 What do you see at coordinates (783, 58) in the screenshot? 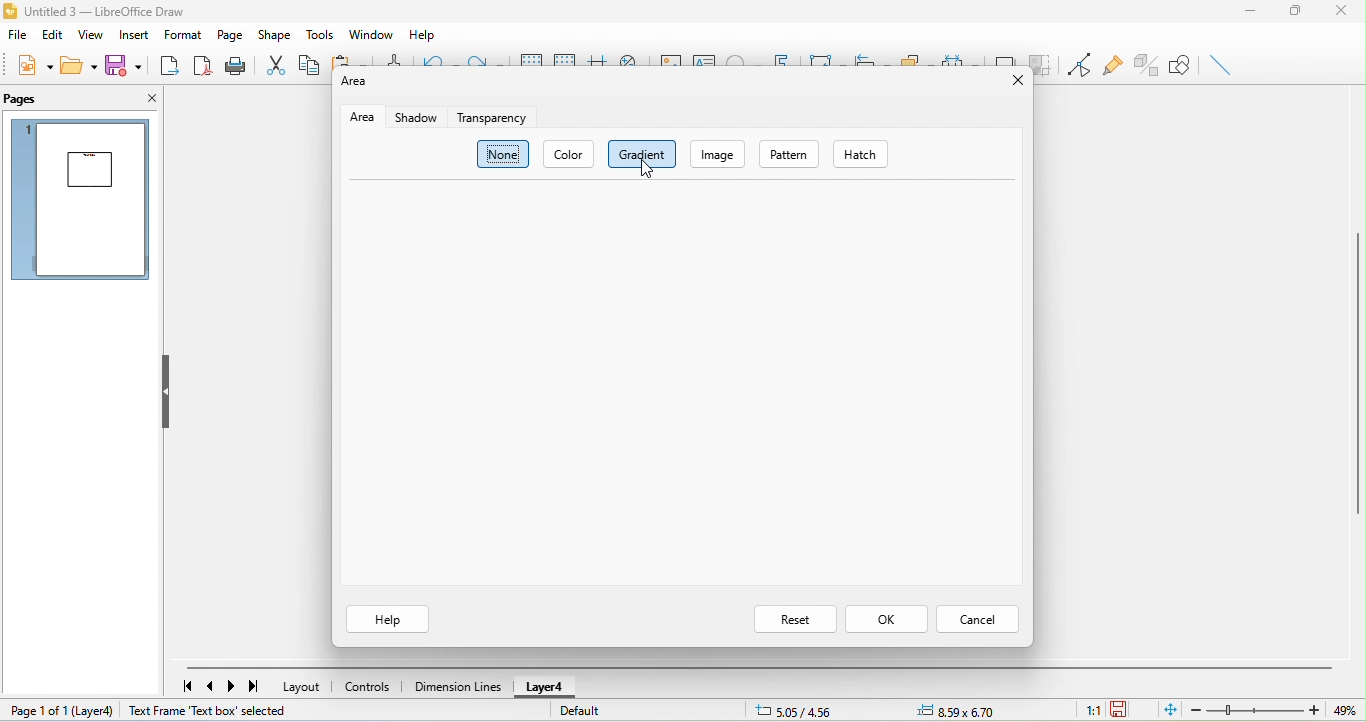
I see `font work text` at bounding box center [783, 58].